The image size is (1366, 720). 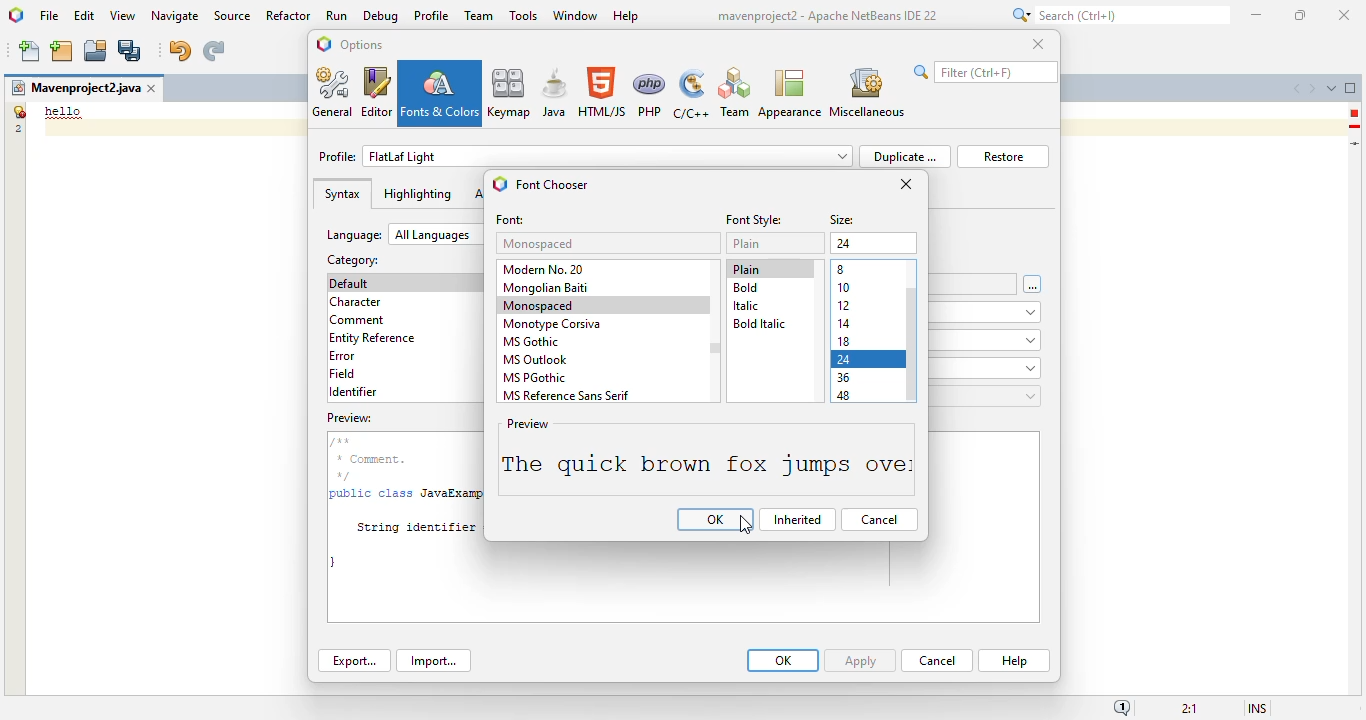 What do you see at coordinates (843, 221) in the screenshot?
I see `size: ` at bounding box center [843, 221].